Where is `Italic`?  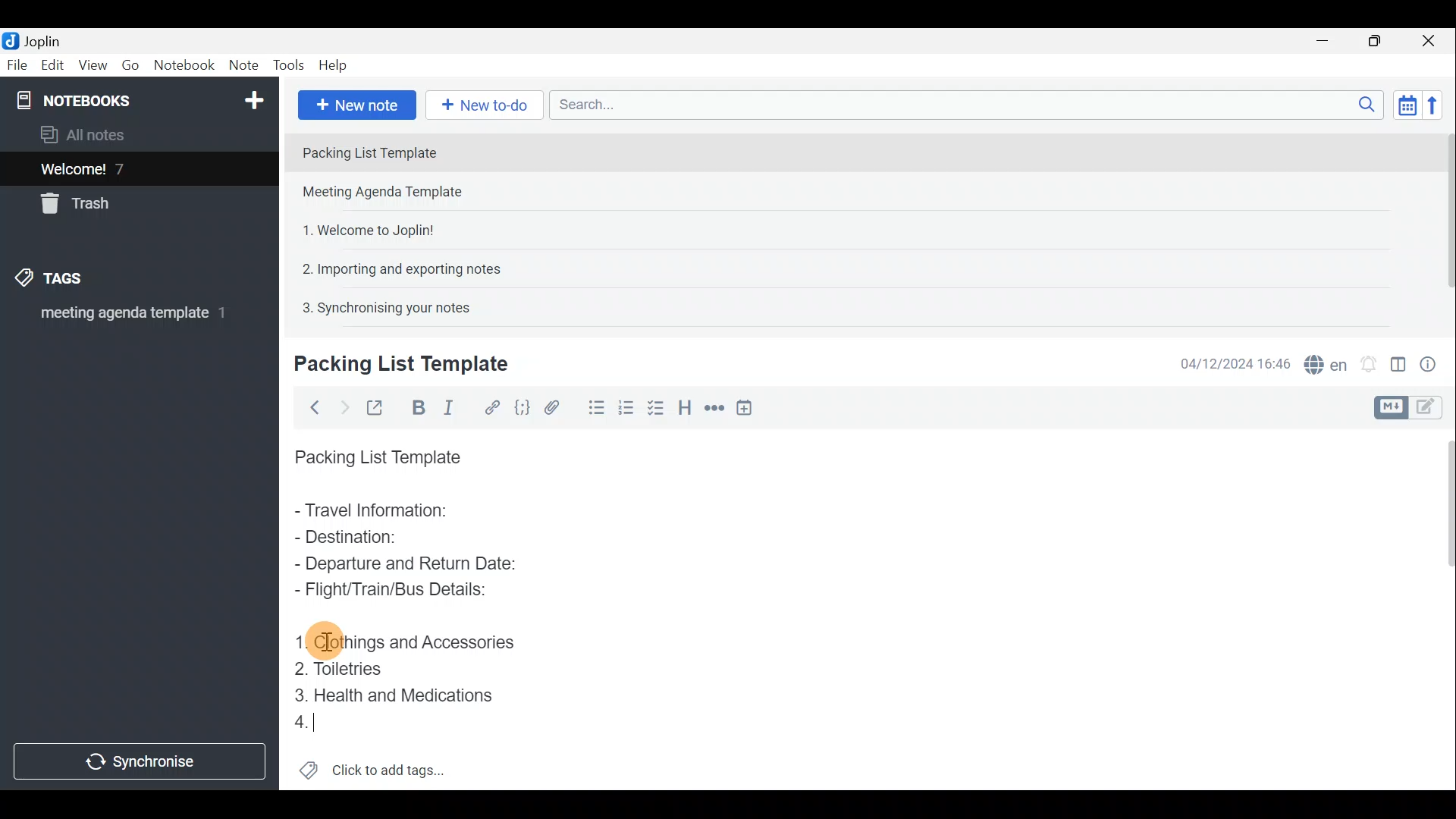
Italic is located at coordinates (454, 407).